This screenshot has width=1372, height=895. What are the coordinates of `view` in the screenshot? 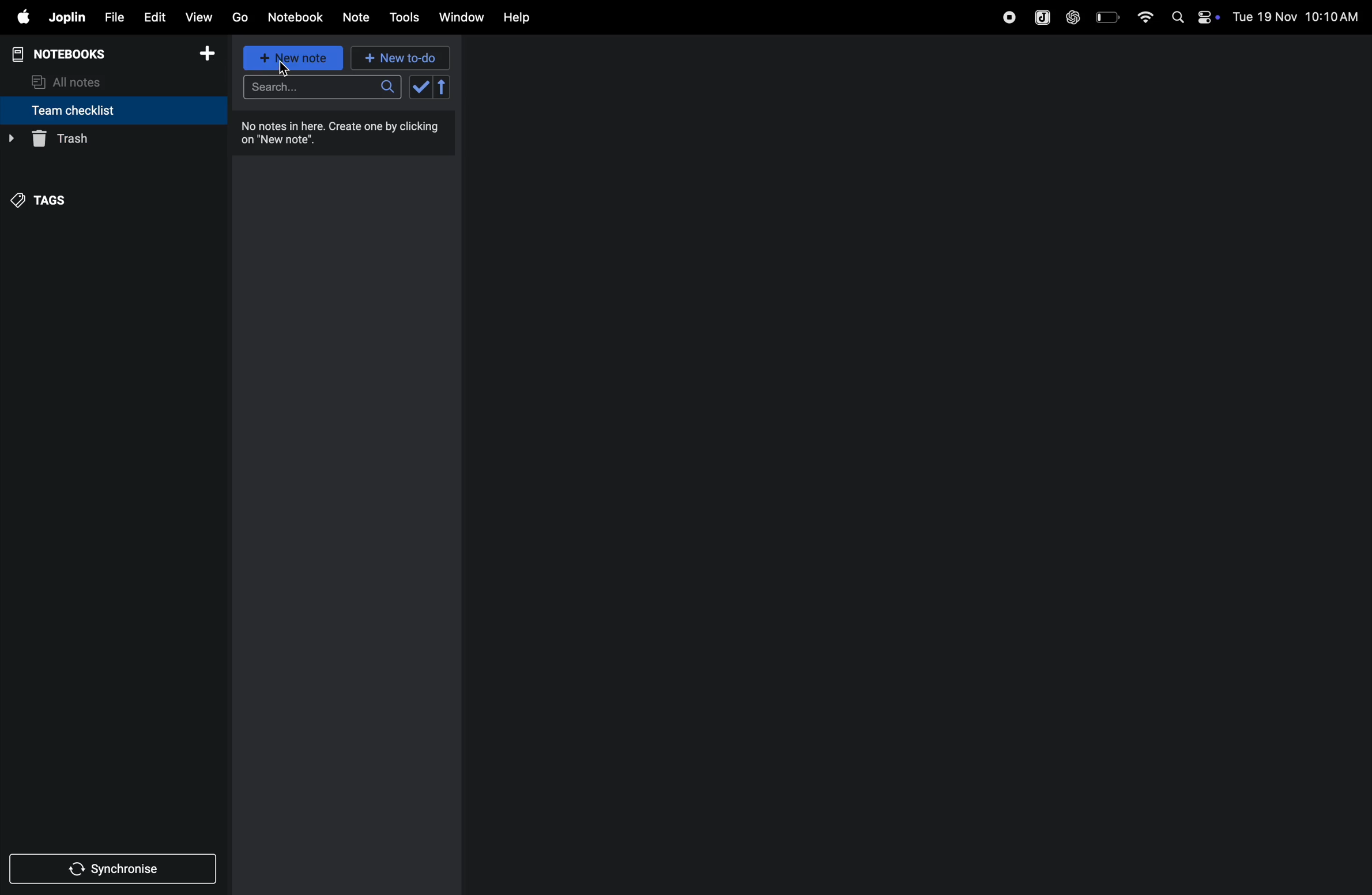 It's located at (201, 16).